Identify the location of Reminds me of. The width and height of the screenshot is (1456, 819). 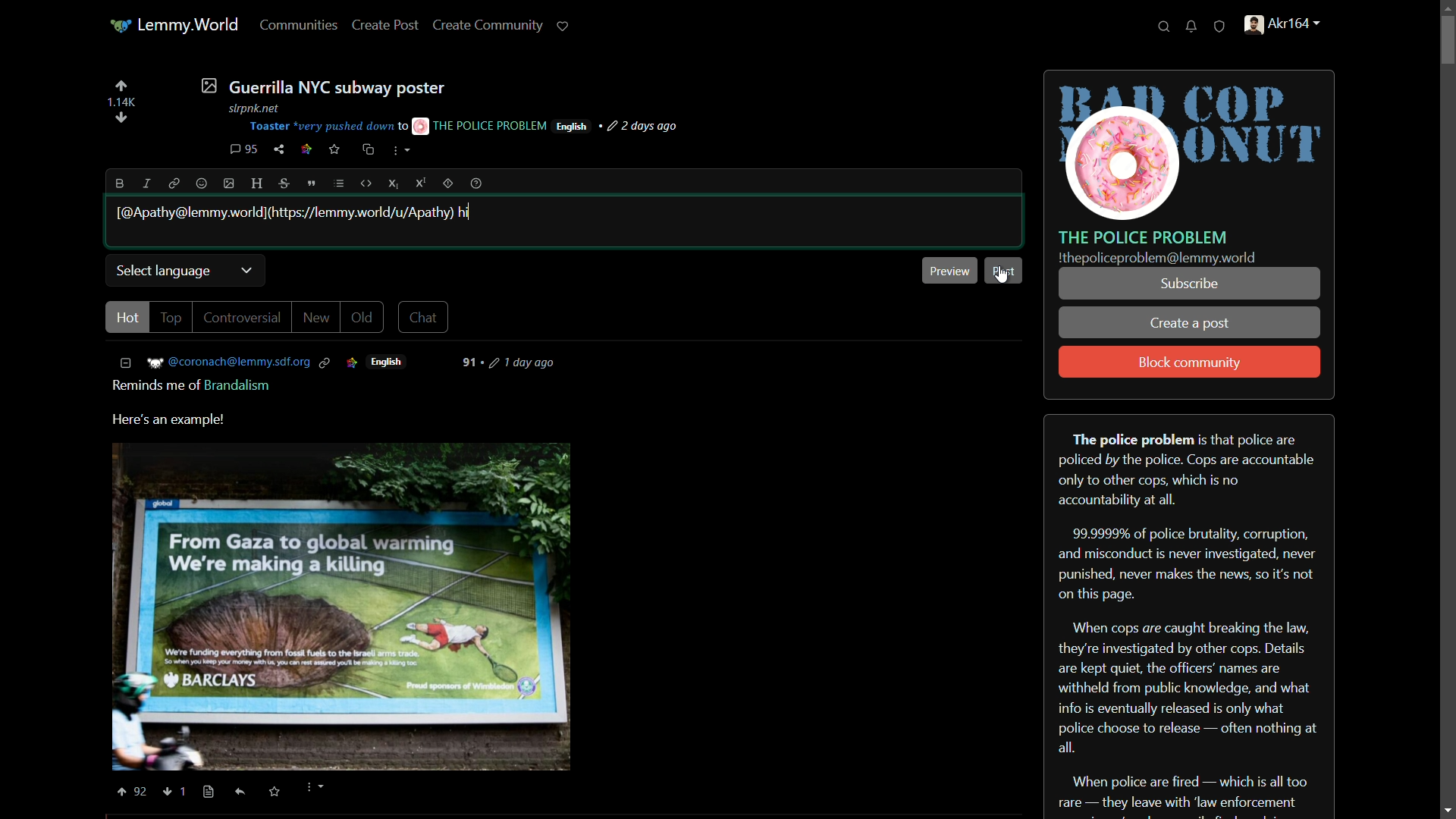
(150, 385).